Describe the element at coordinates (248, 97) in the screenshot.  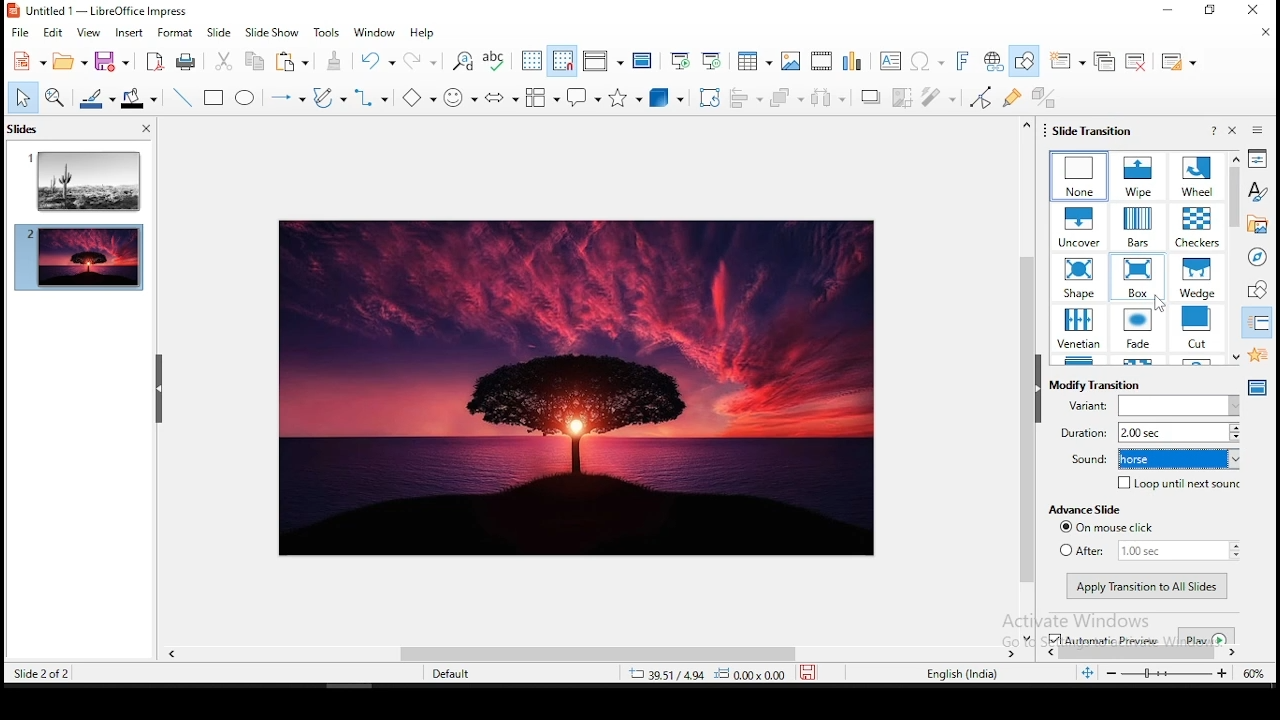
I see `ellipse` at that location.